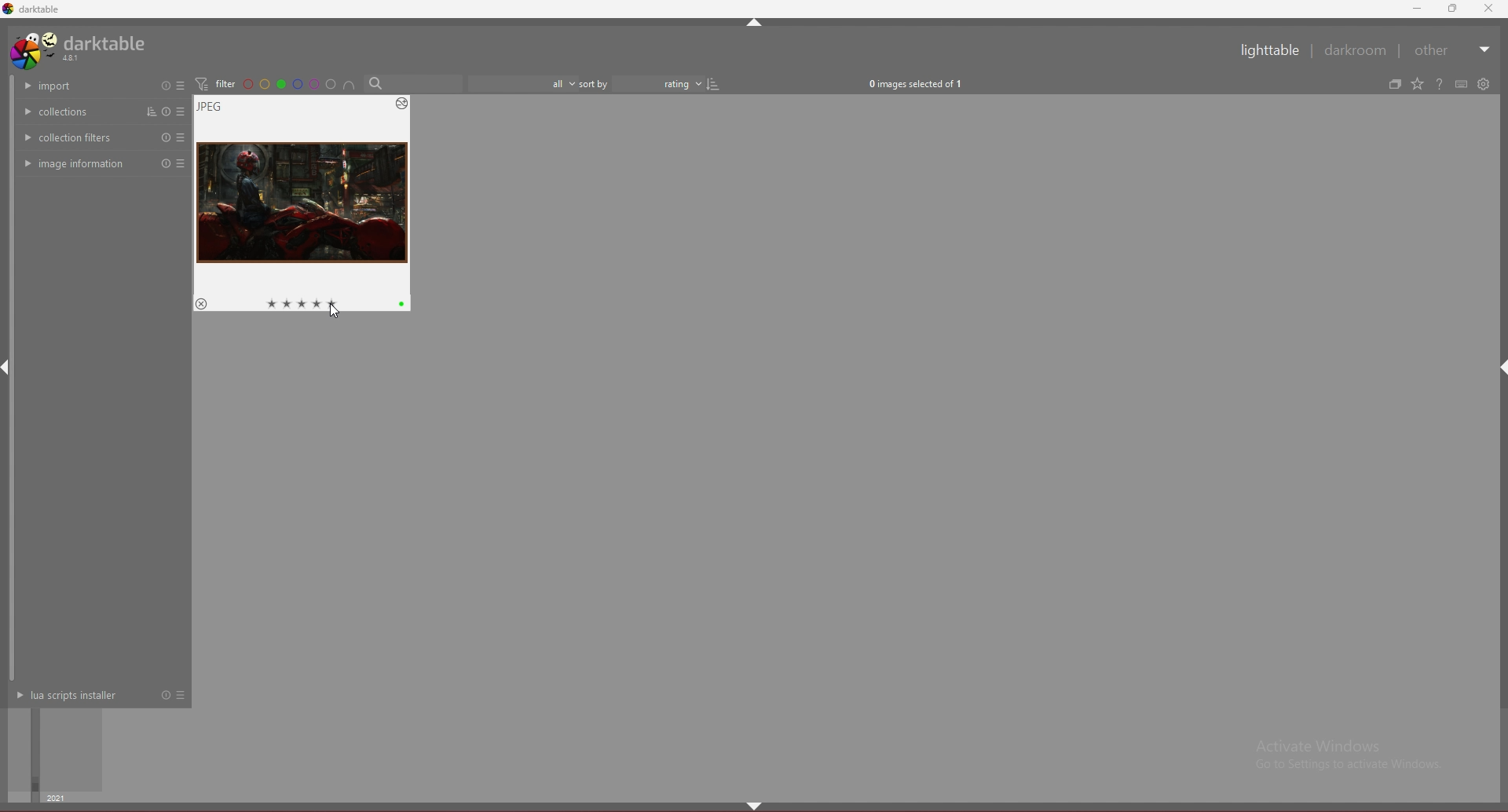 Image resolution: width=1508 pixels, height=812 pixels. I want to click on darktable, so click(34, 9).